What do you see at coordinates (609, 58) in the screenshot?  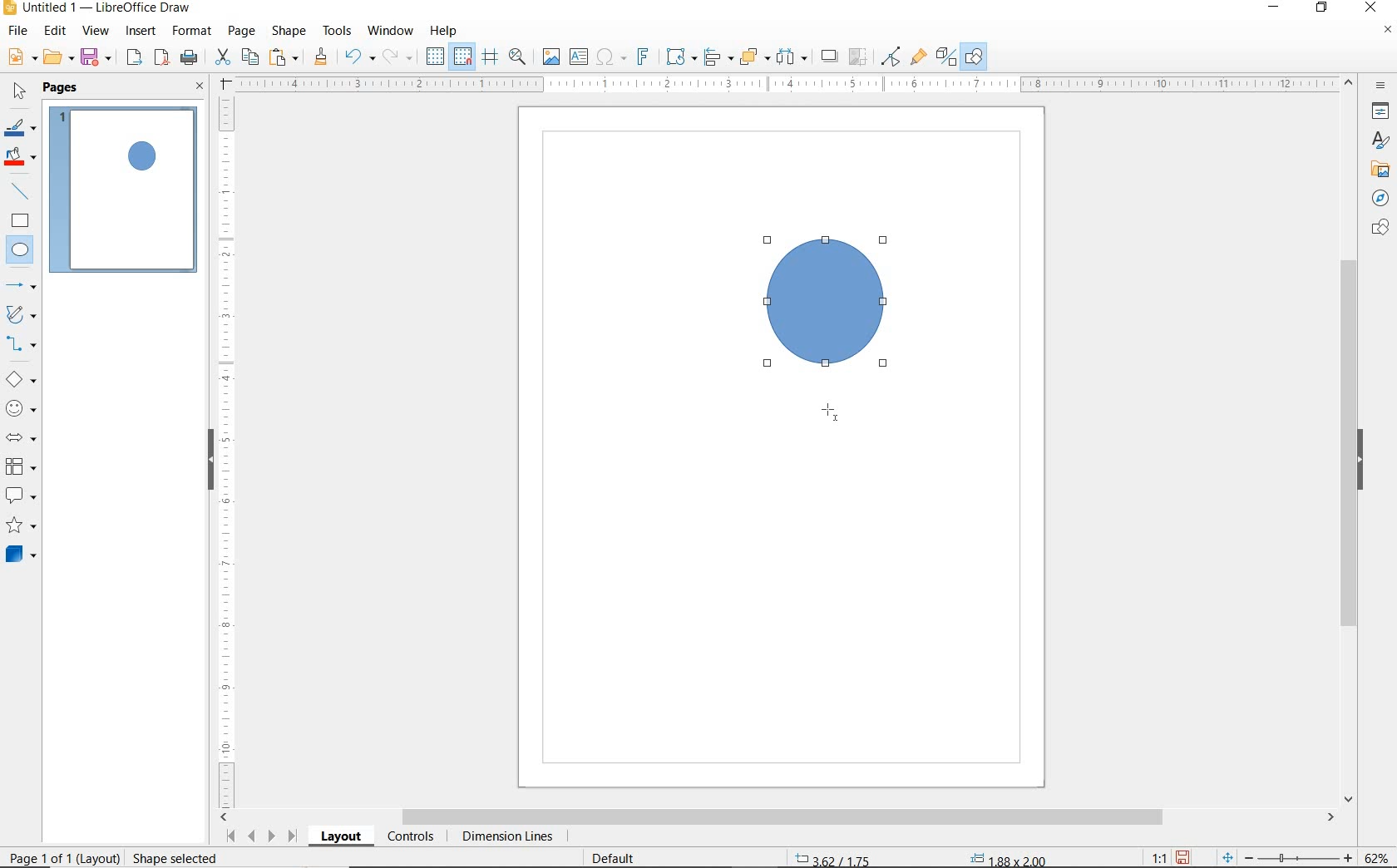 I see `INSERT SPECIAL CHARACTERS` at bounding box center [609, 58].